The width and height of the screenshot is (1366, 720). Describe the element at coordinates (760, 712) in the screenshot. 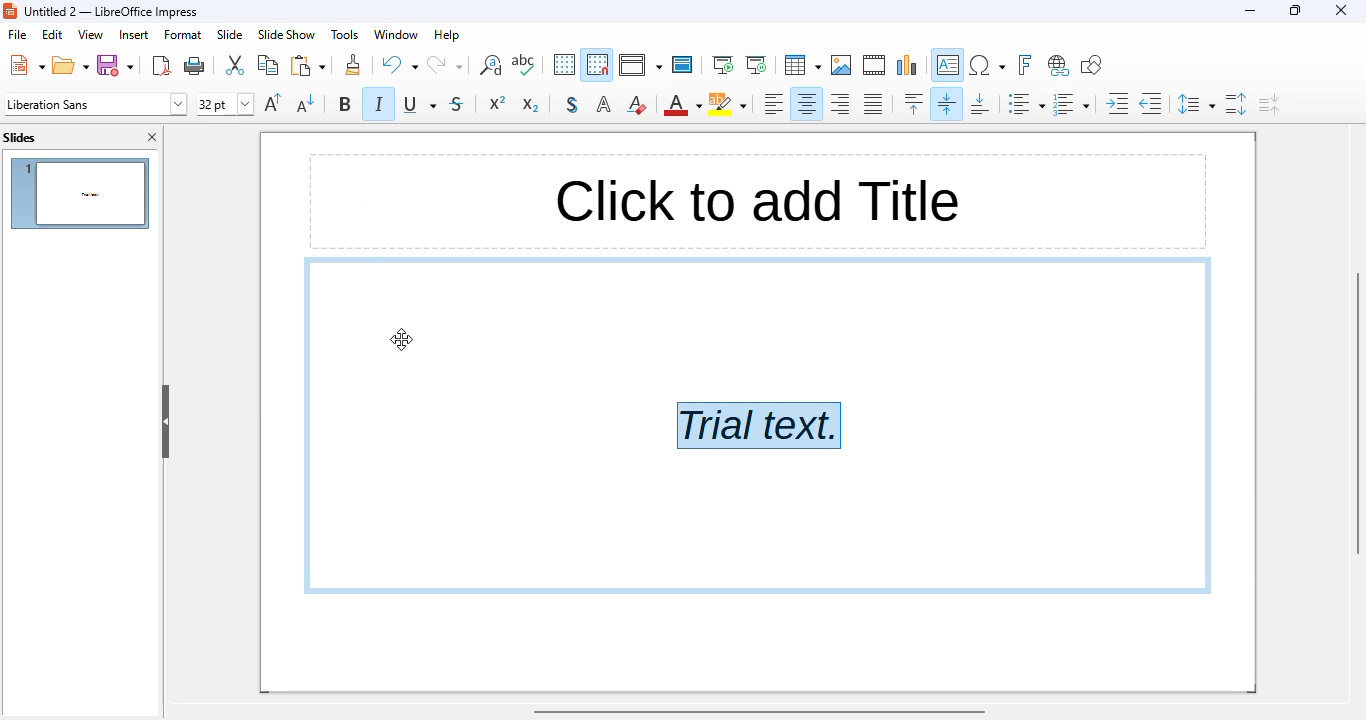

I see `horizontal scroll bar` at that location.